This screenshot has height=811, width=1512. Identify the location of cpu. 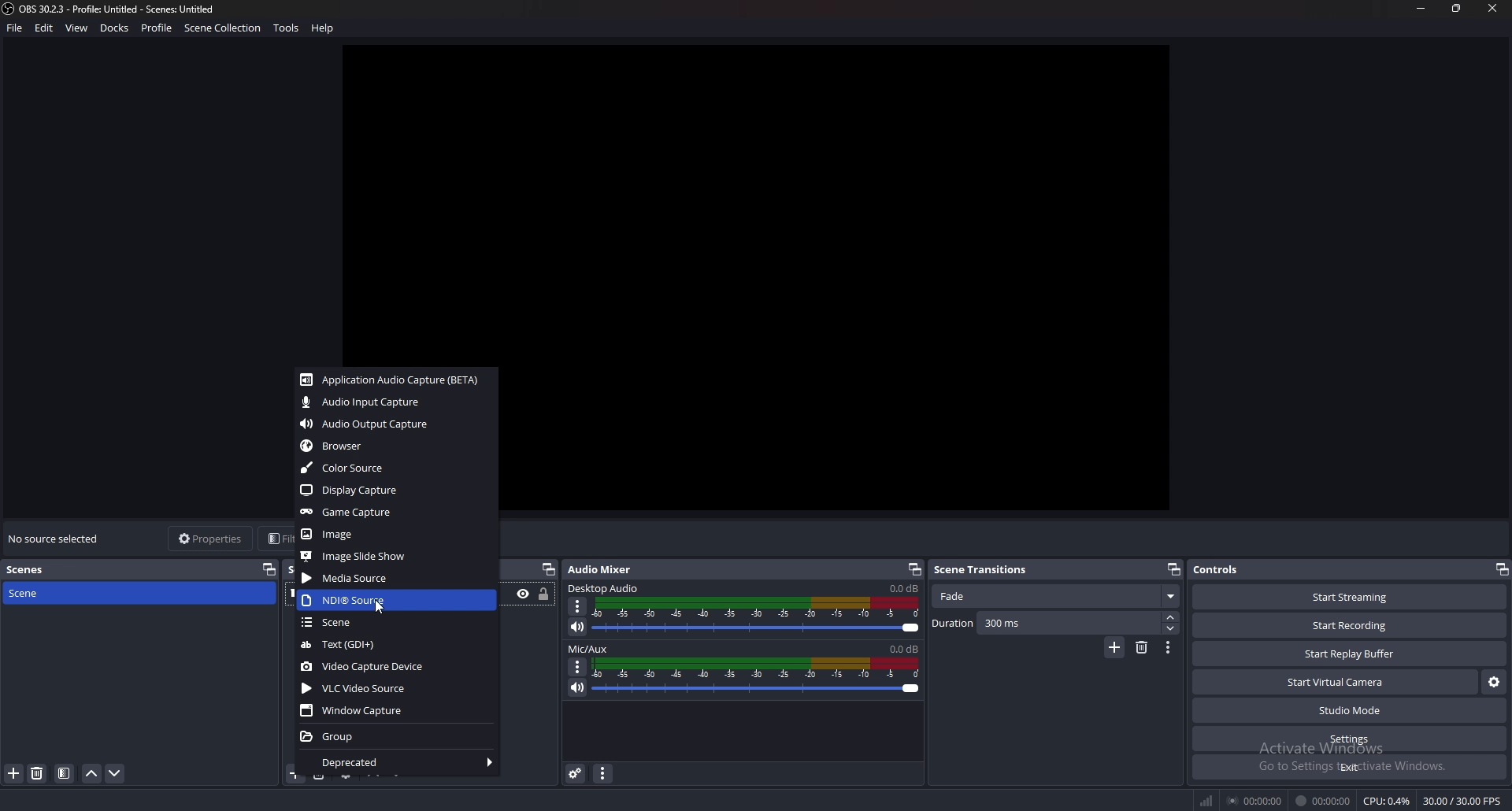
(1388, 801).